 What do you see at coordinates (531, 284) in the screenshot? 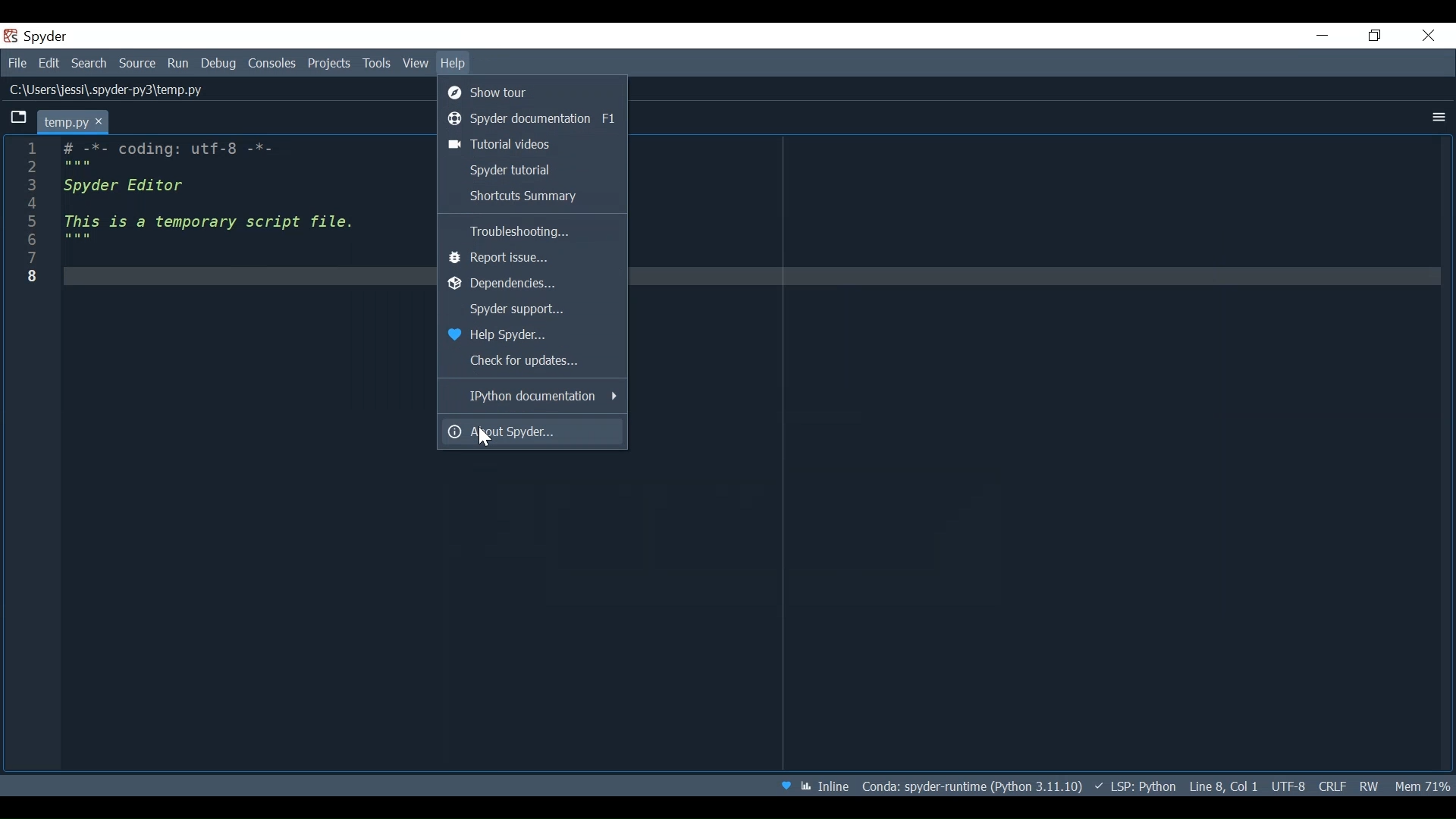
I see `Dependencies` at bounding box center [531, 284].